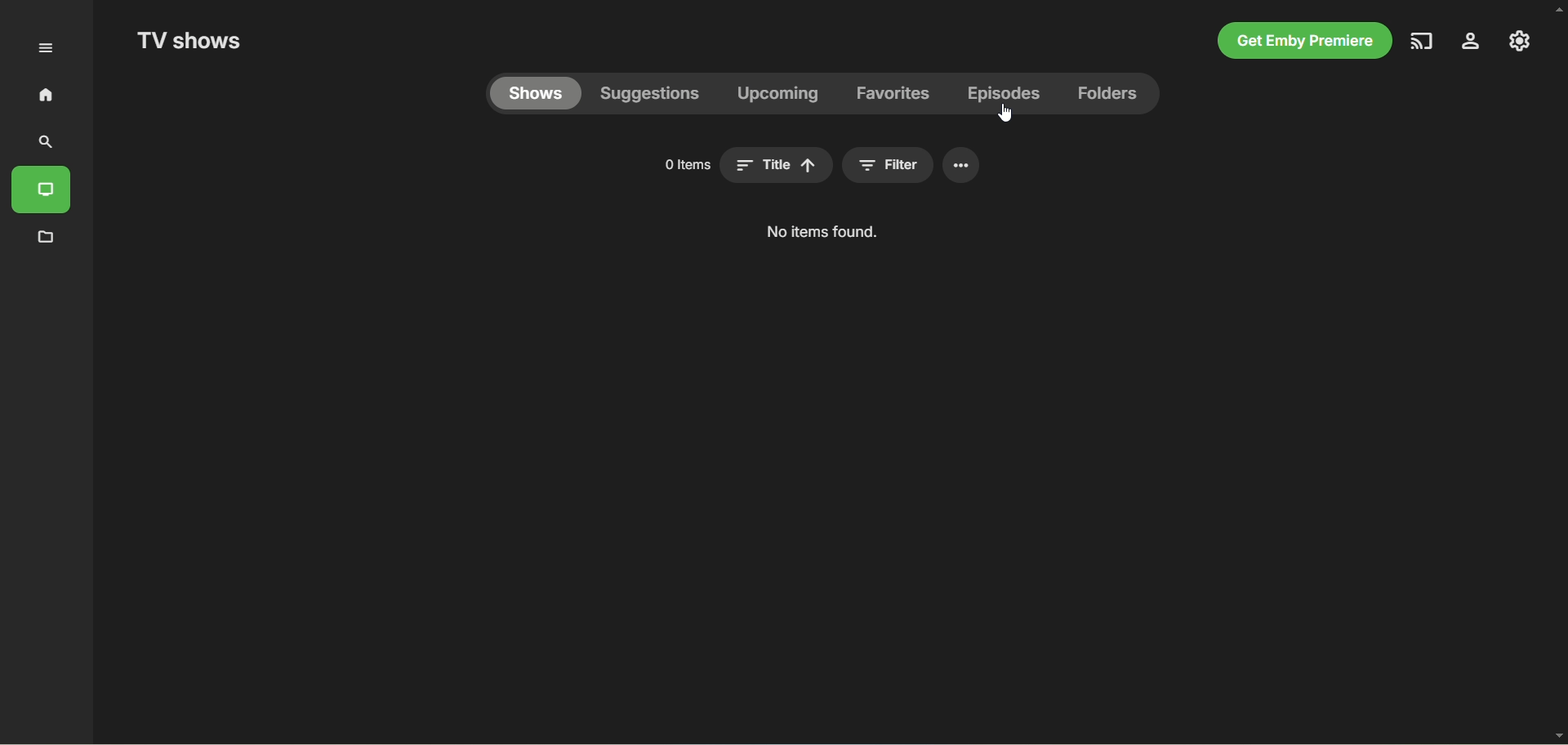 The height and width of the screenshot is (745, 1568). Describe the element at coordinates (1520, 41) in the screenshot. I see `manage emby server` at that location.